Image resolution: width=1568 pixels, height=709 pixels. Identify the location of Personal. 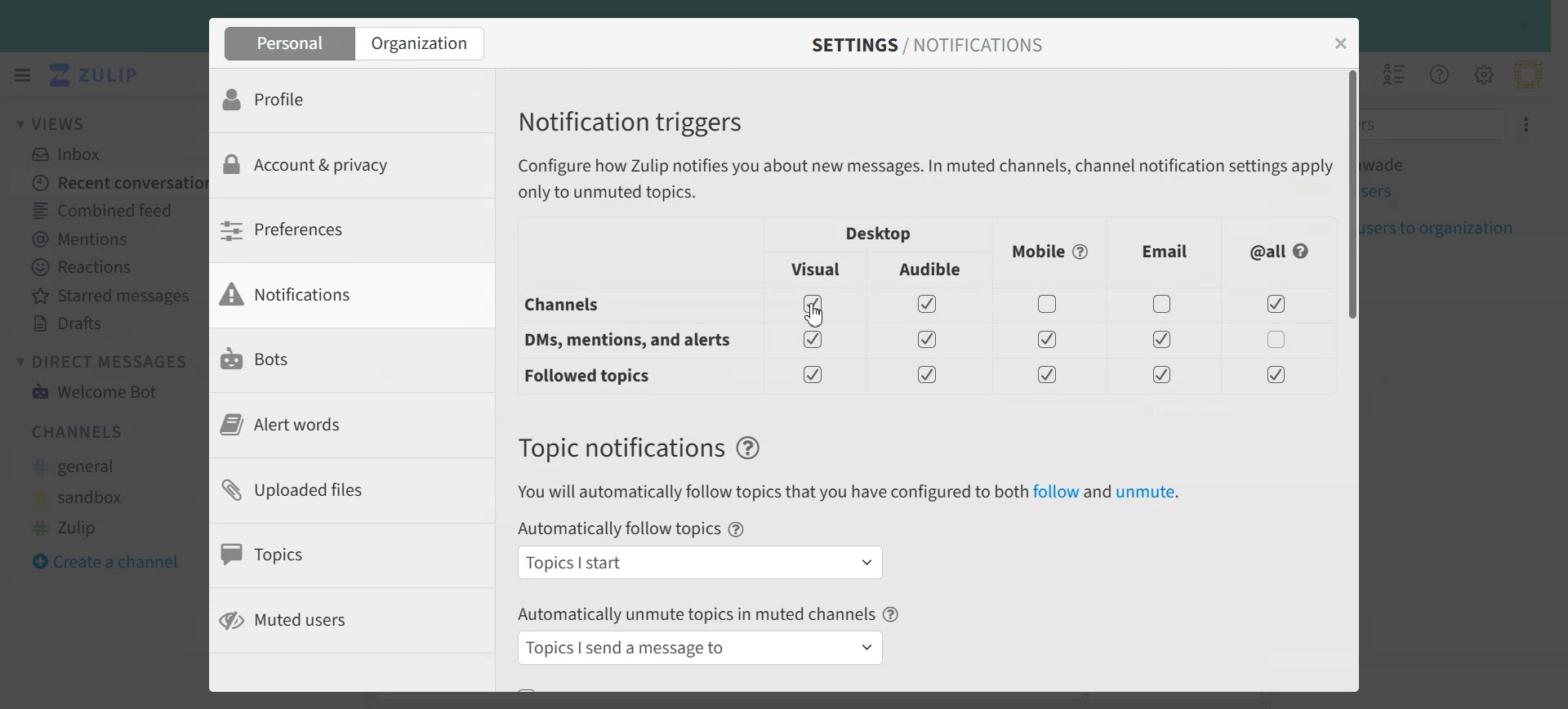
(287, 43).